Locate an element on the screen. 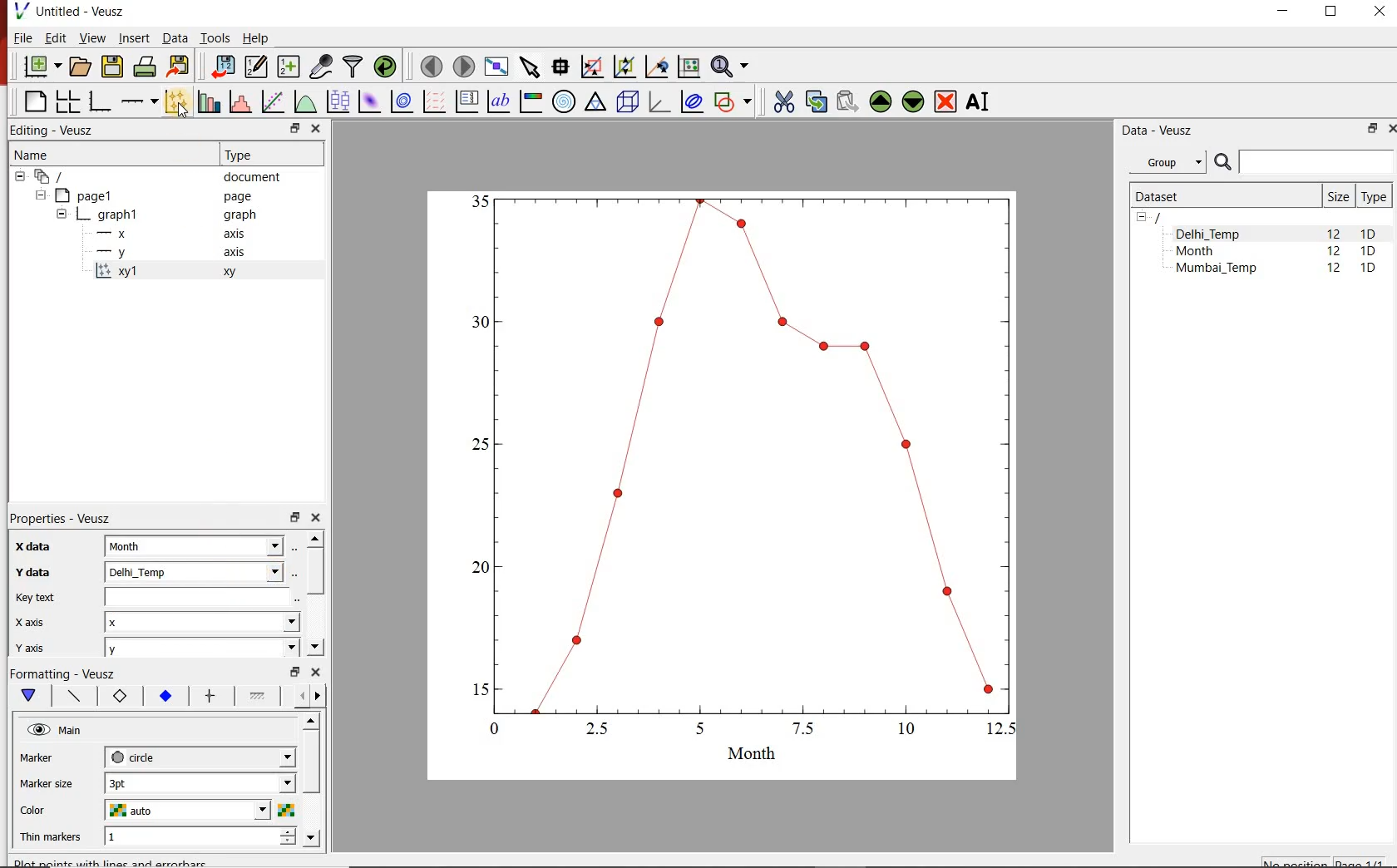 The image size is (1397, 868). circle is located at coordinates (200, 757).